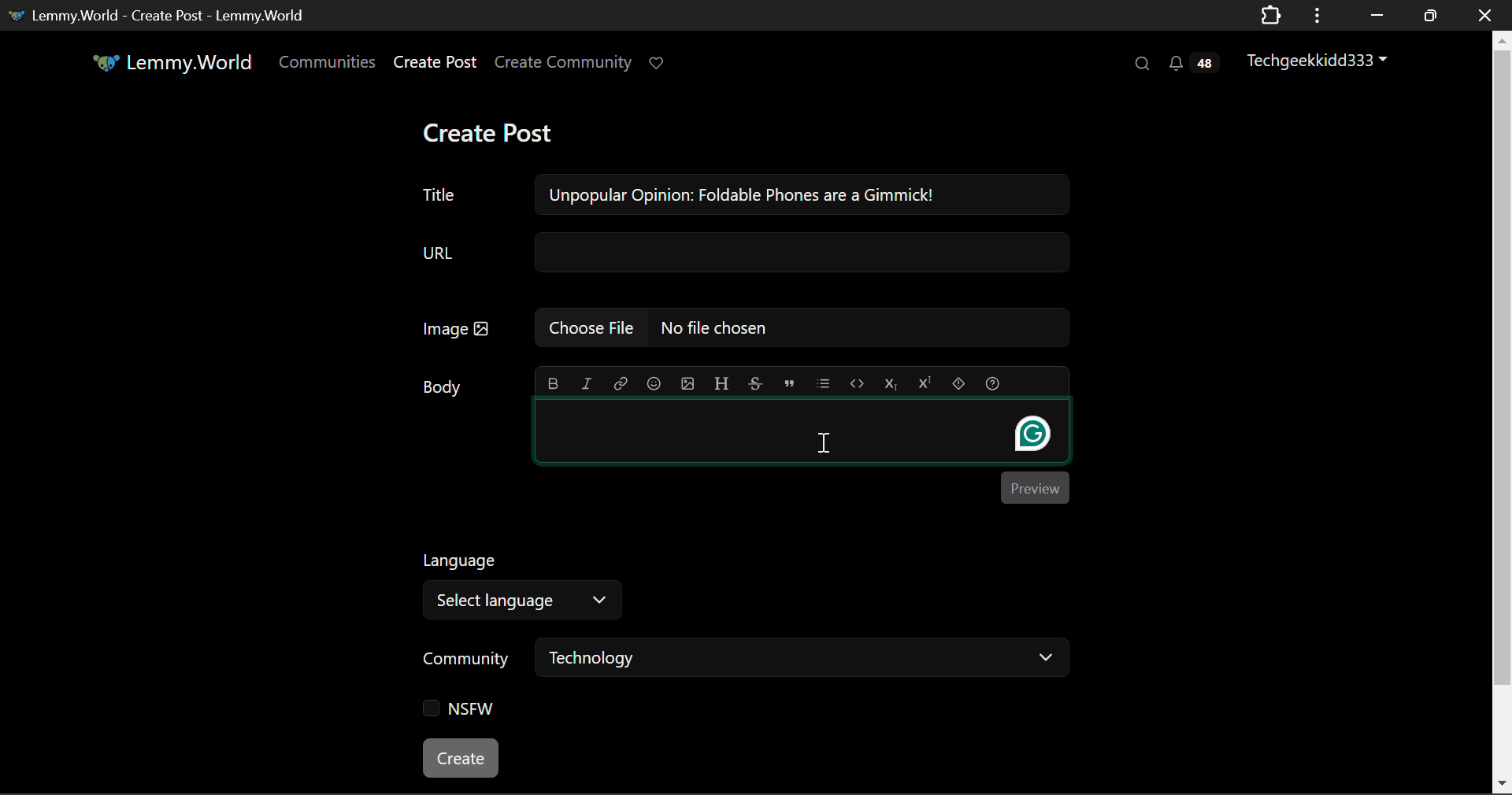 The image size is (1512, 795). I want to click on Techgeekkidd333, so click(1324, 59).